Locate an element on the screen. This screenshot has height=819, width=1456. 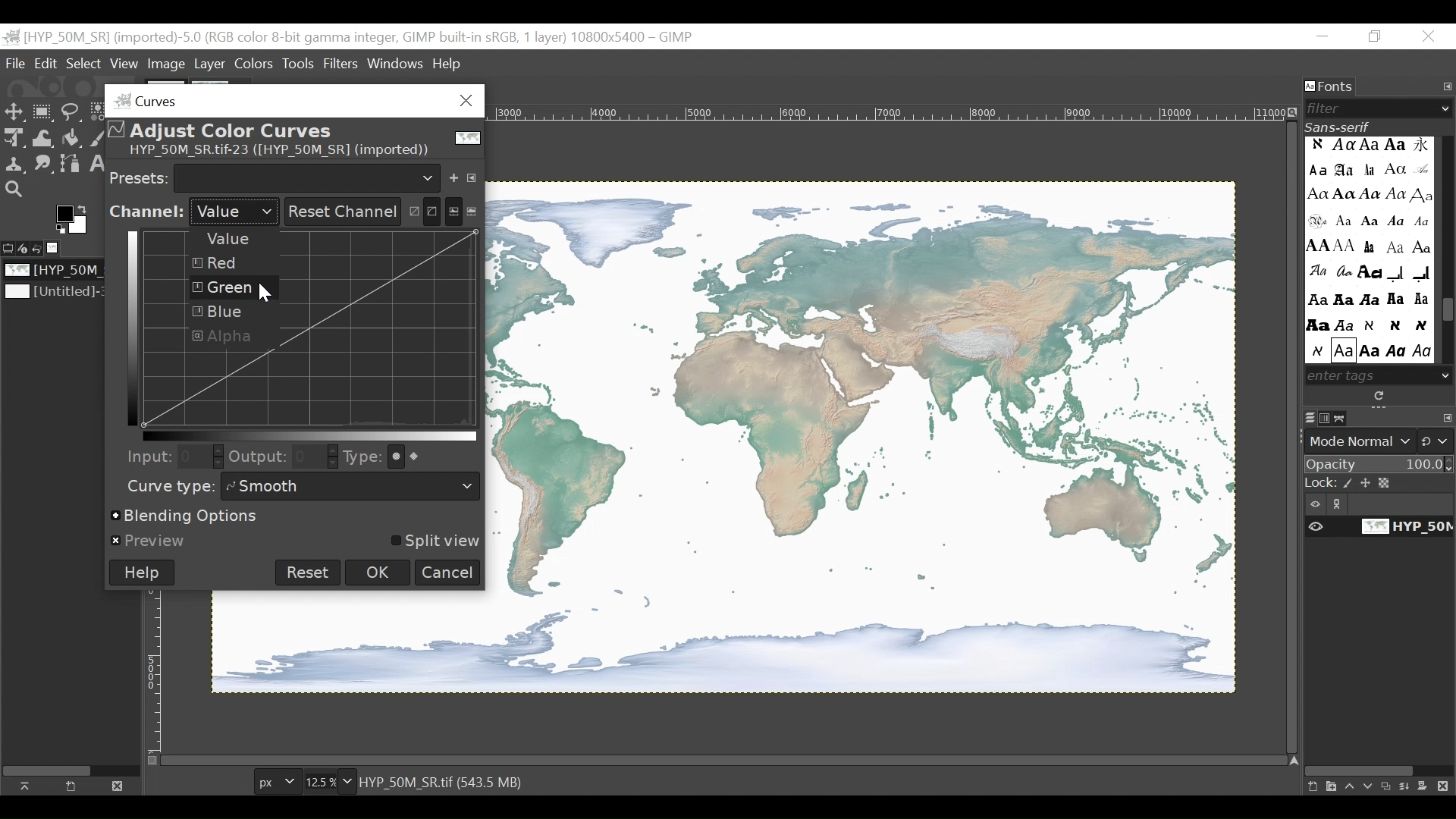
OK is located at coordinates (379, 572).